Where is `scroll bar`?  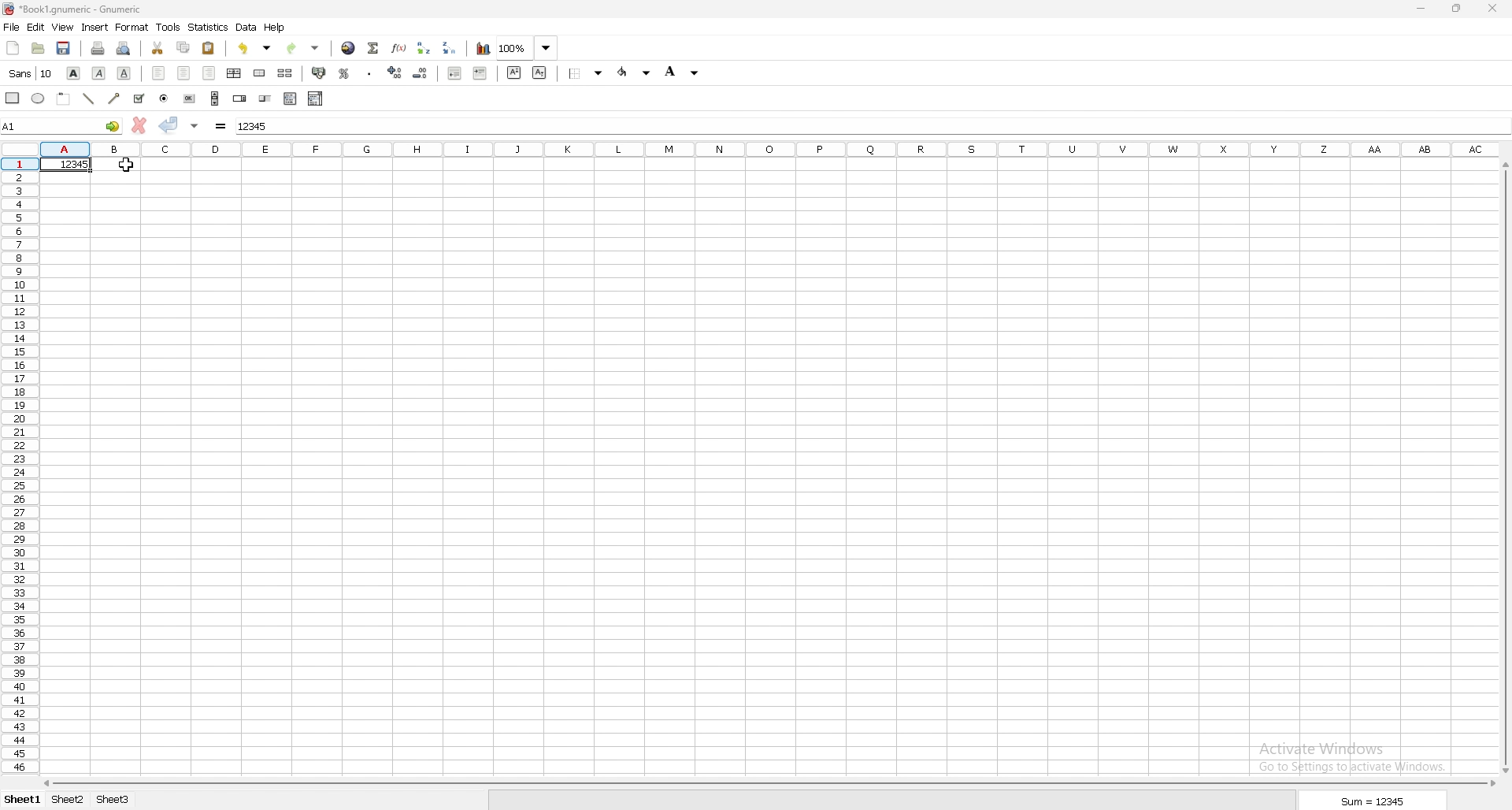
scroll bar is located at coordinates (766, 785).